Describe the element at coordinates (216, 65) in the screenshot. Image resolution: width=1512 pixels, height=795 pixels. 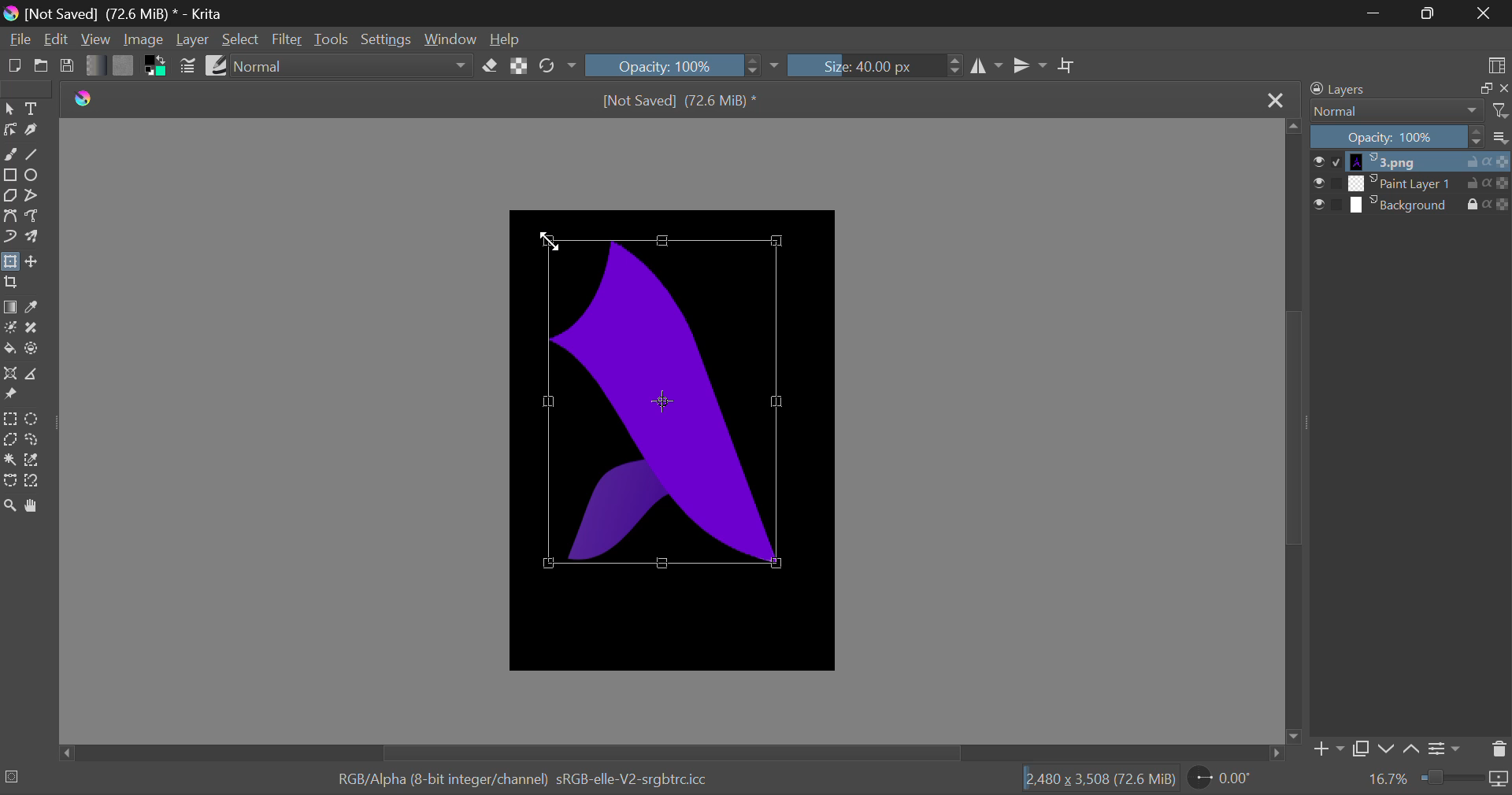
I see `Brush Presets` at that location.